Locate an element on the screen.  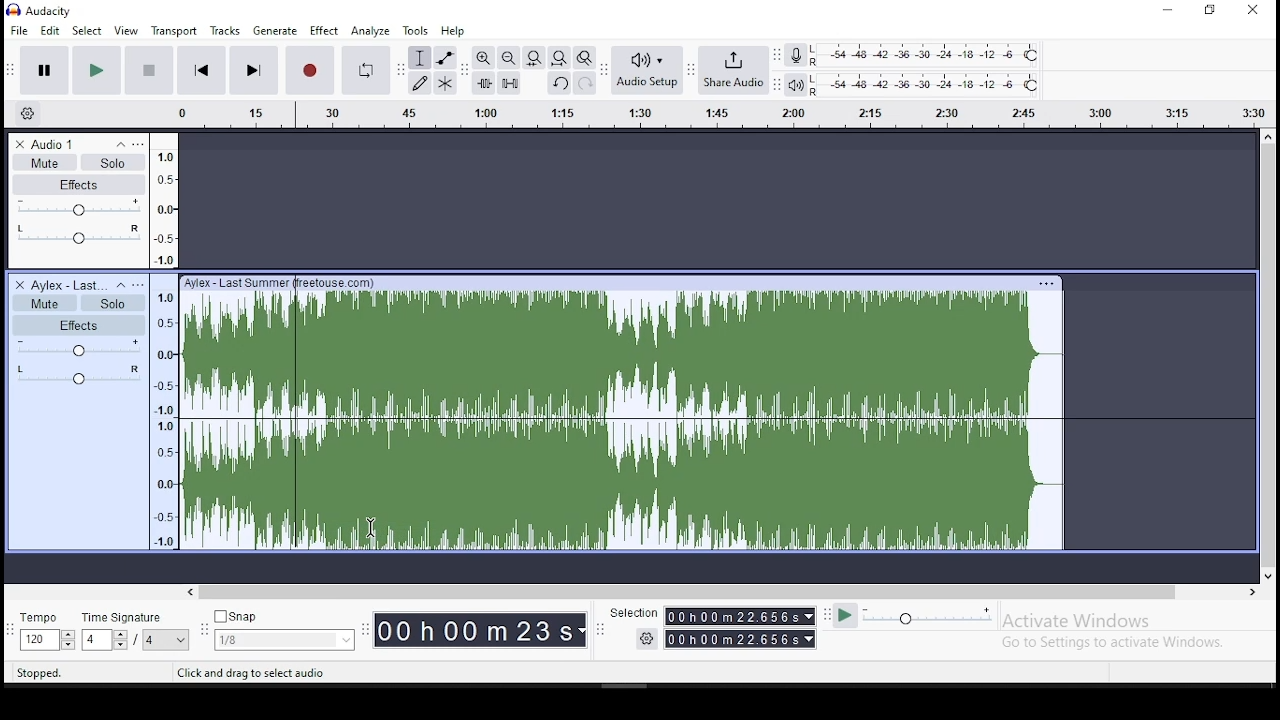
record meter is located at coordinates (796, 56).